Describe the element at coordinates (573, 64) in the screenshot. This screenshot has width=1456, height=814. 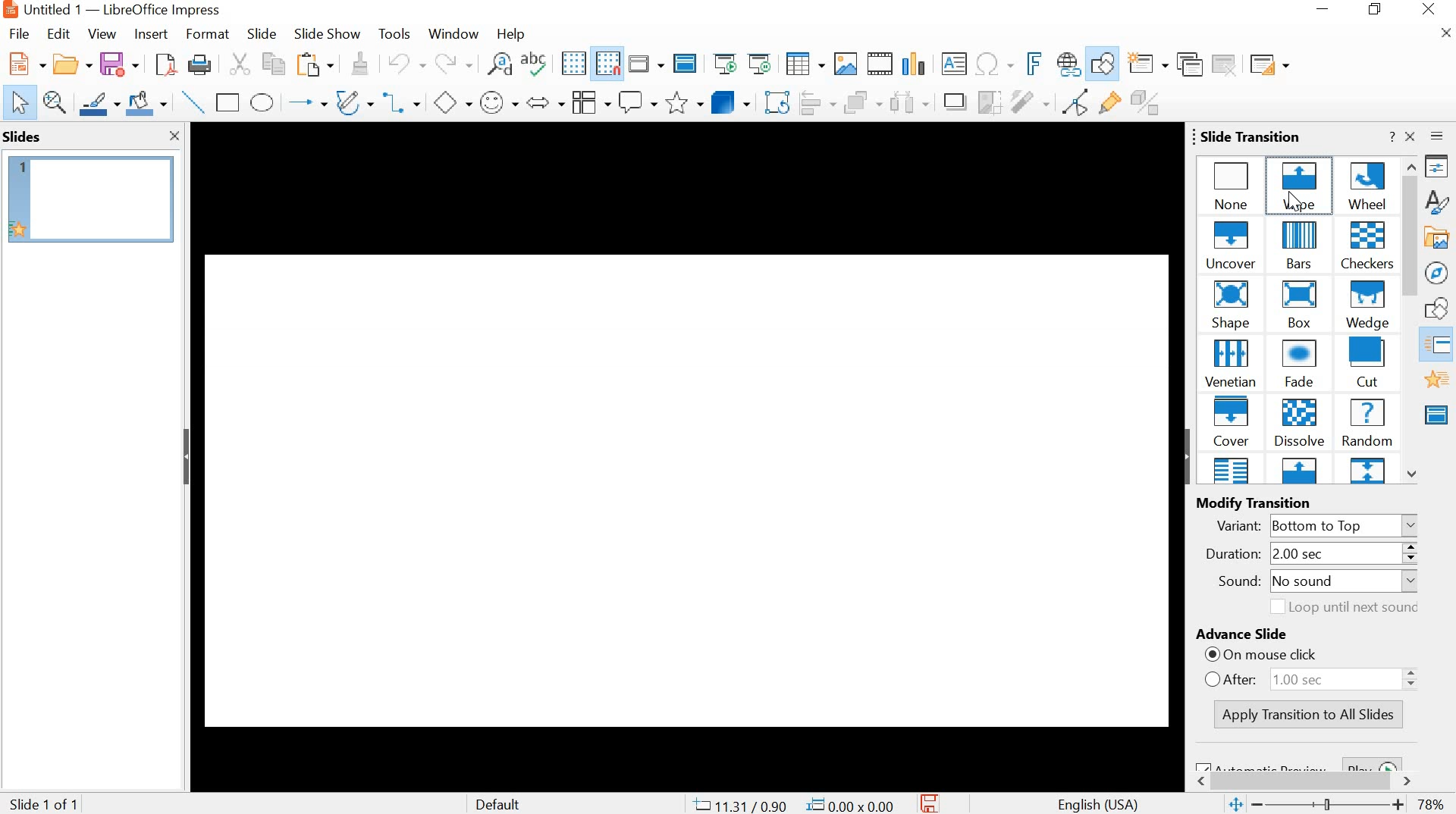
I see `Display grid` at that location.